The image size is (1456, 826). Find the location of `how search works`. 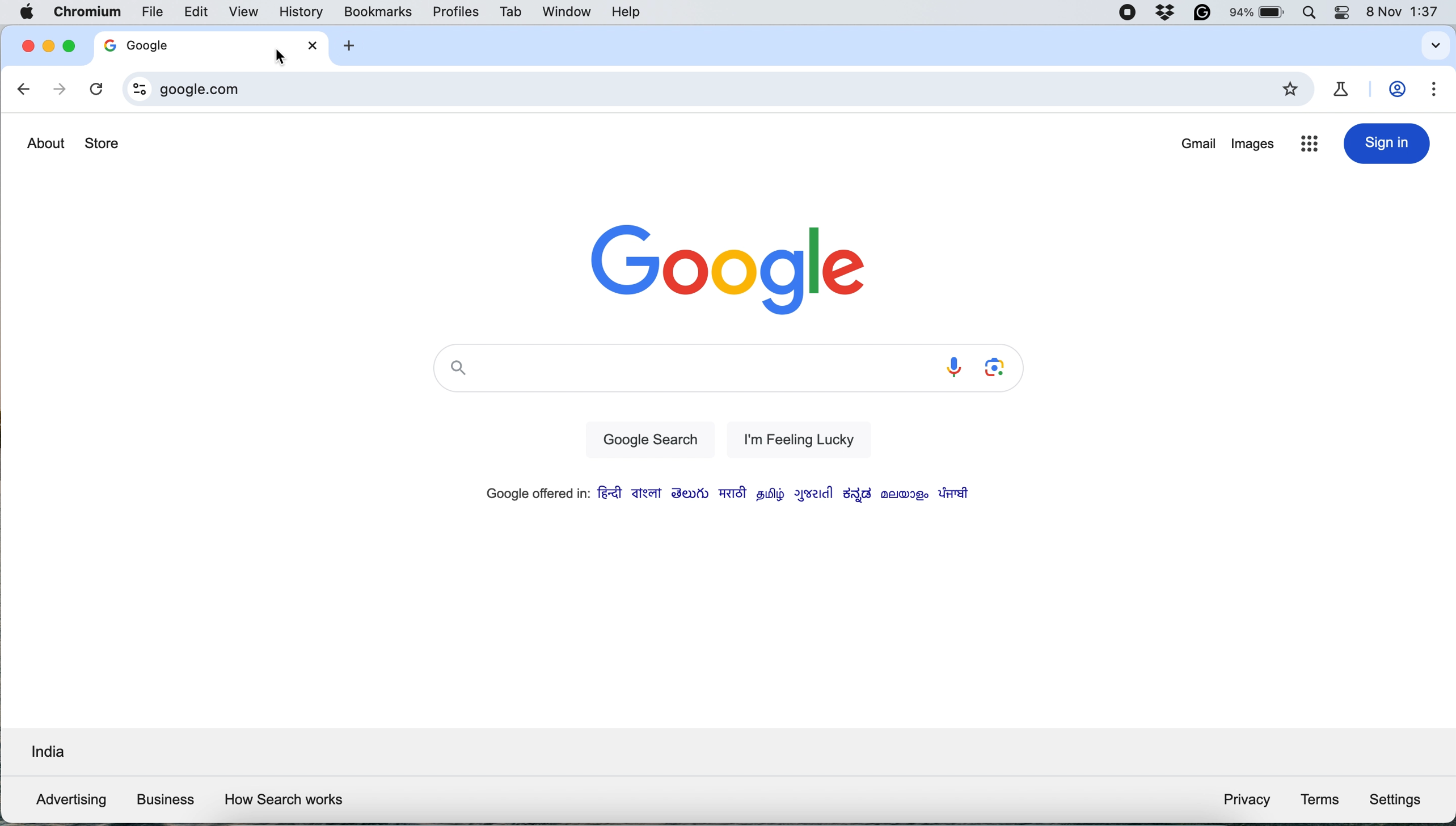

how search works is located at coordinates (285, 800).